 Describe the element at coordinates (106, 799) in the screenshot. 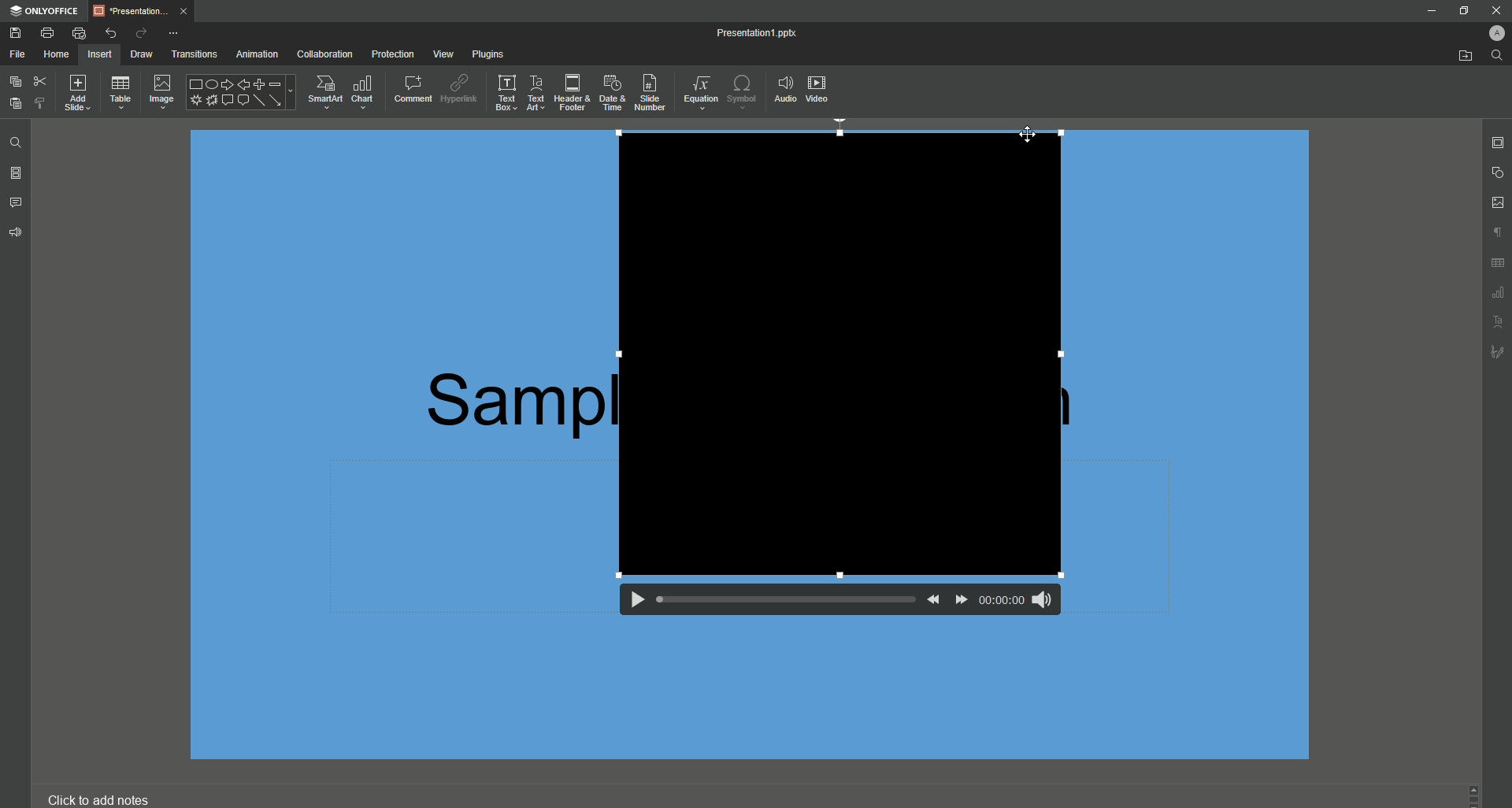

I see `Click to add notes` at that location.